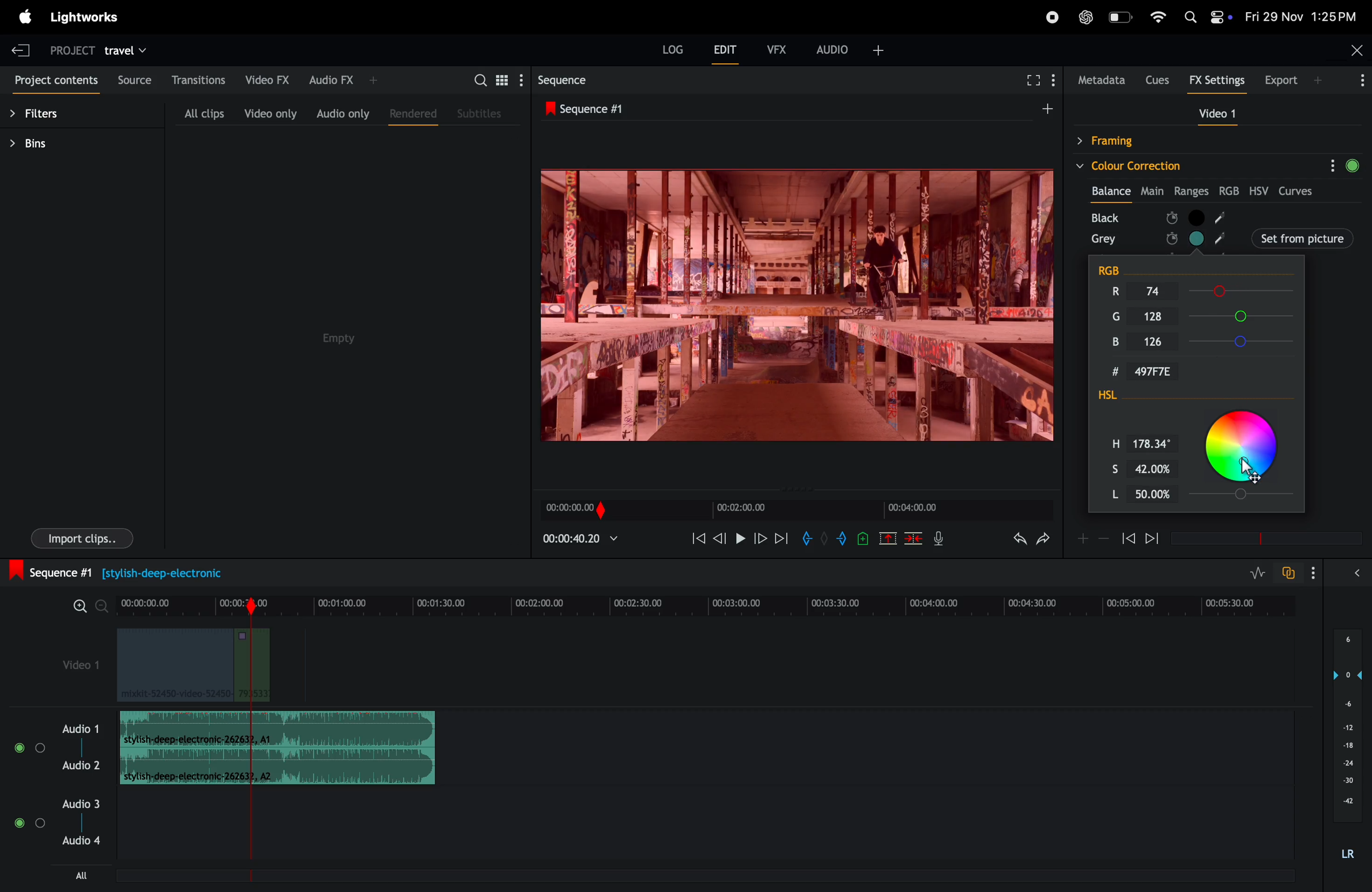 Image resolution: width=1372 pixels, height=892 pixels. Describe the element at coordinates (1220, 13) in the screenshot. I see `control panel` at that location.